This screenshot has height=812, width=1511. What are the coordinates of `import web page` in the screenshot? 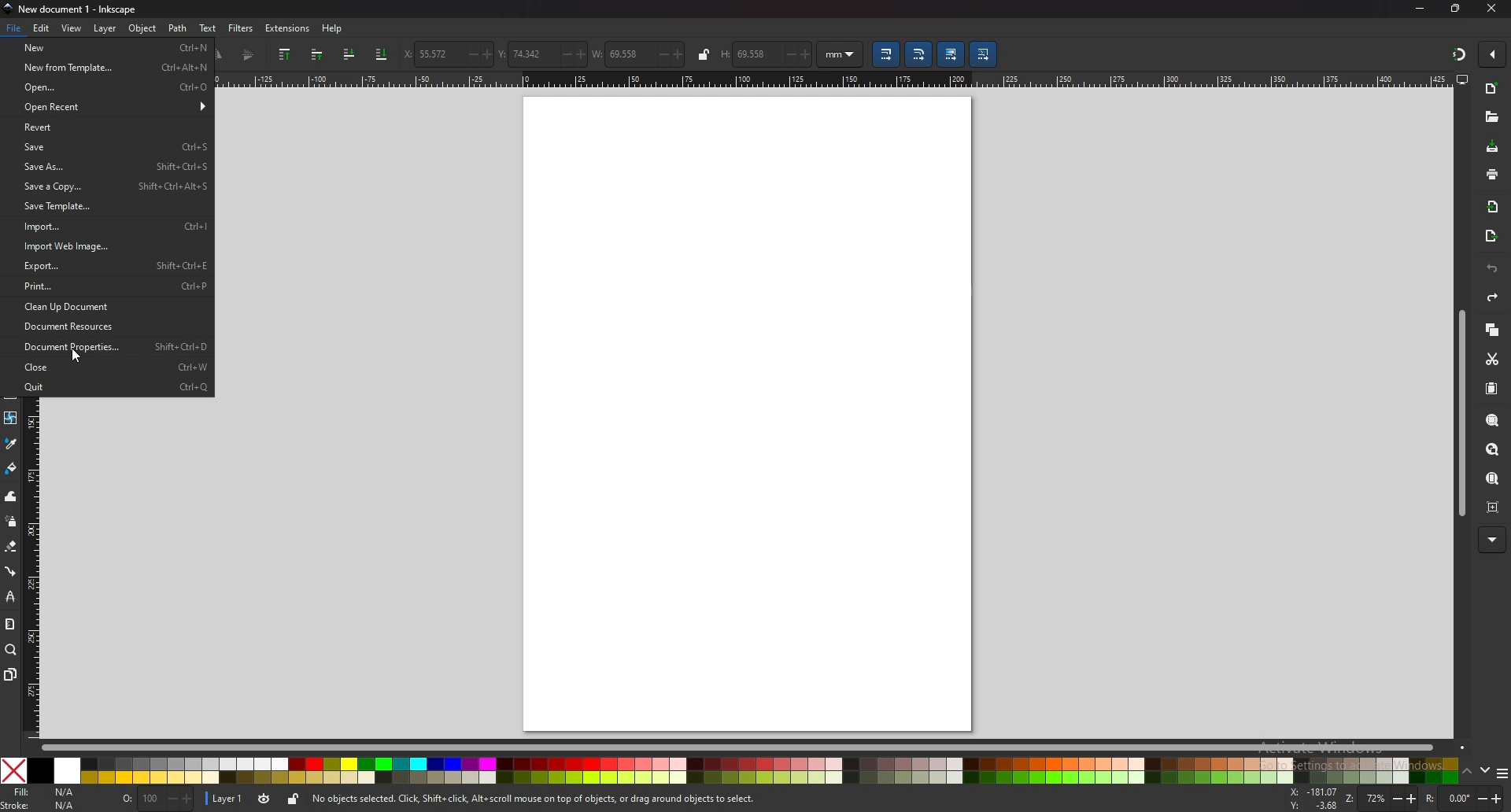 It's located at (105, 247).